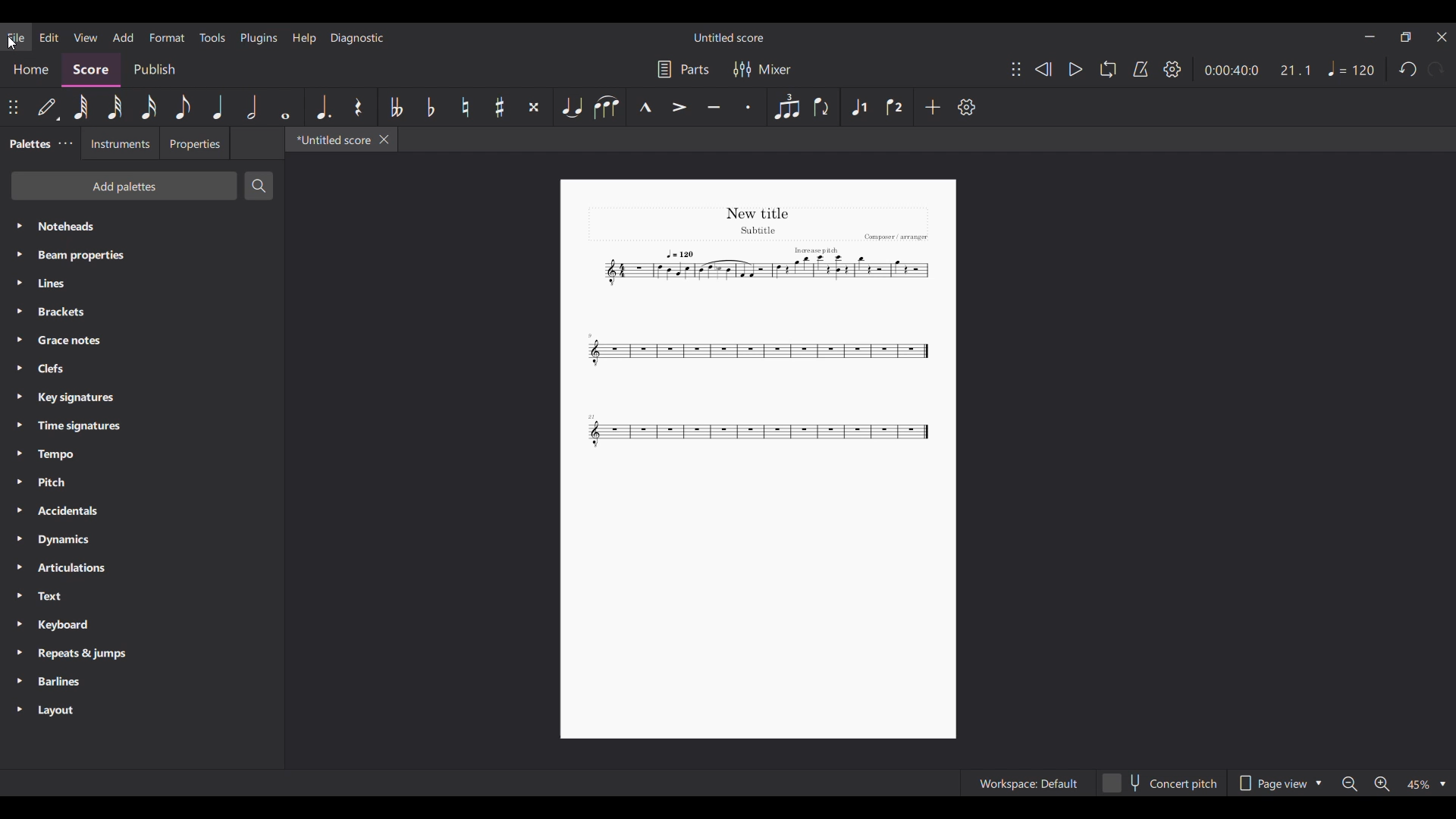 The image size is (1456, 819). Describe the element at coordinates (194, 143) in the screenshot. I see `Properties` at that location.